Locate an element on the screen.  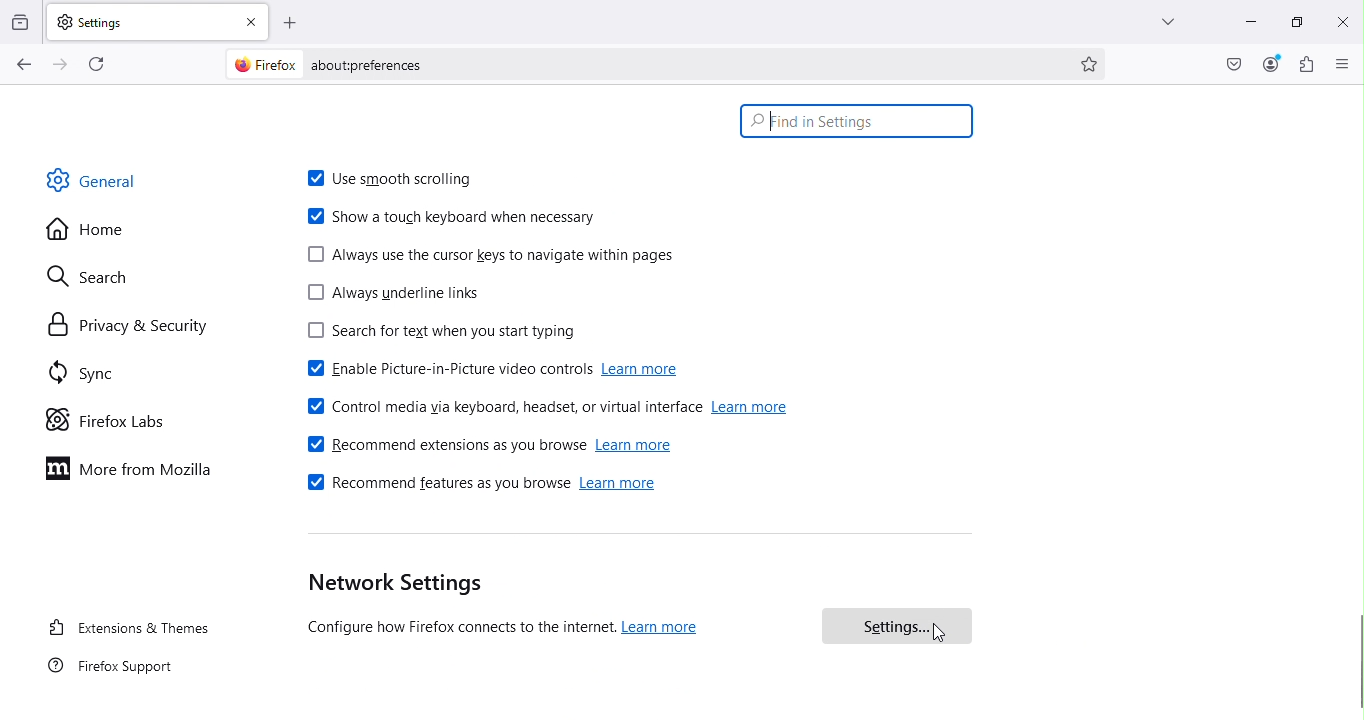
Settings is located at coordinates (895, 626).